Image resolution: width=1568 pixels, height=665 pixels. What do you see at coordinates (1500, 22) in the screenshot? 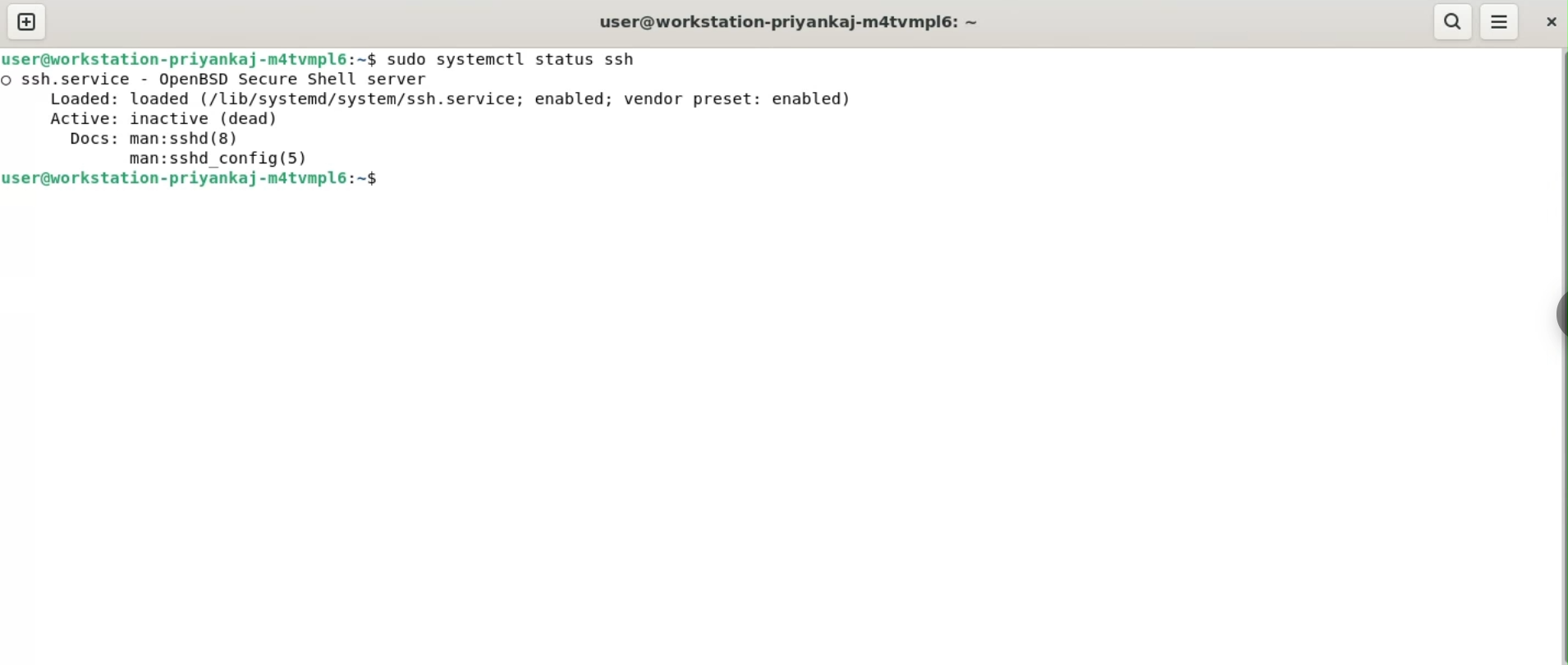
I see `More options` at bounding box center [1500, 22].